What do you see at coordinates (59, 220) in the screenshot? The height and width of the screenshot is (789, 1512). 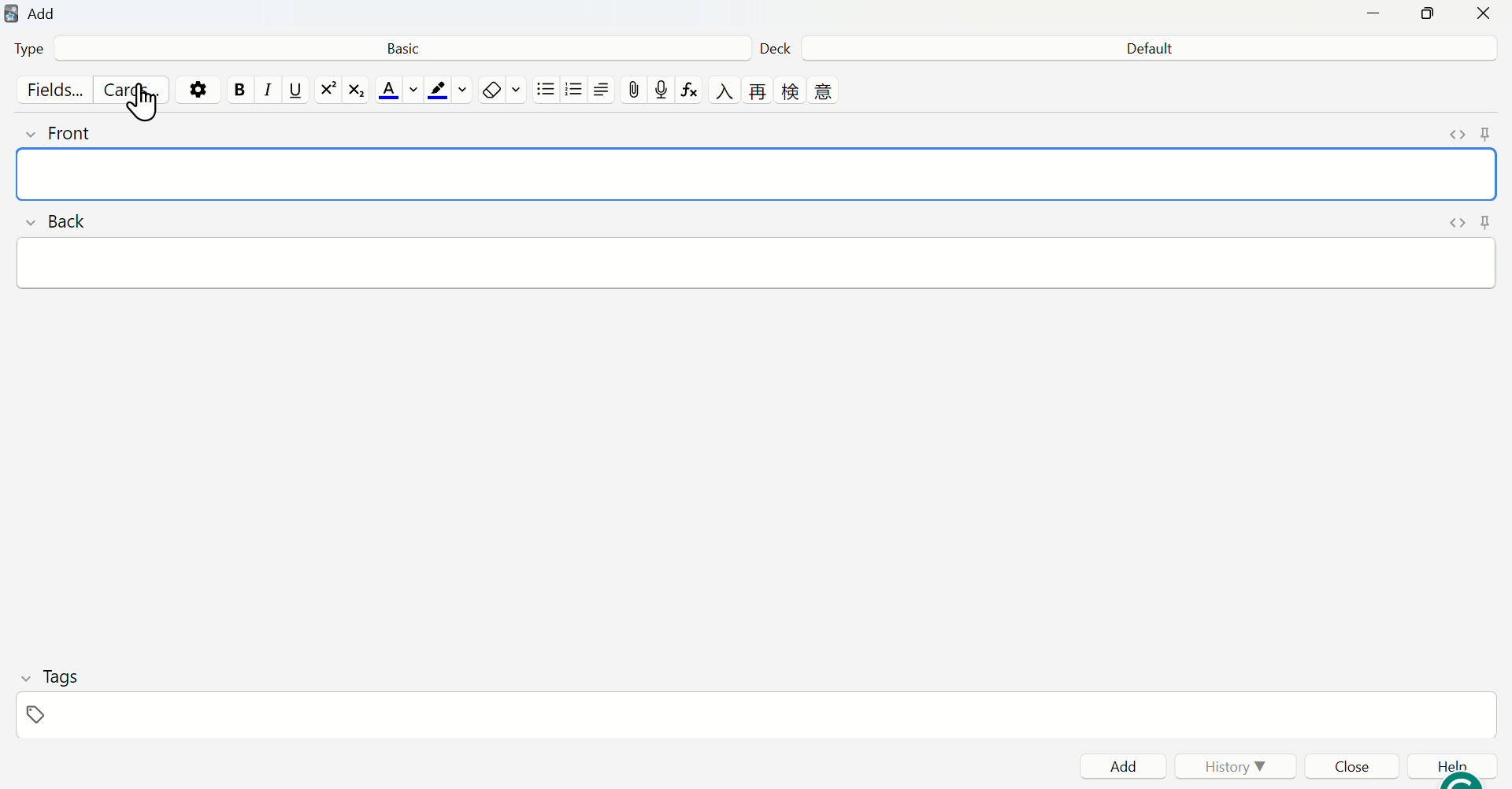 I see `Show/Hide Back` at bounding box center [59, 220].